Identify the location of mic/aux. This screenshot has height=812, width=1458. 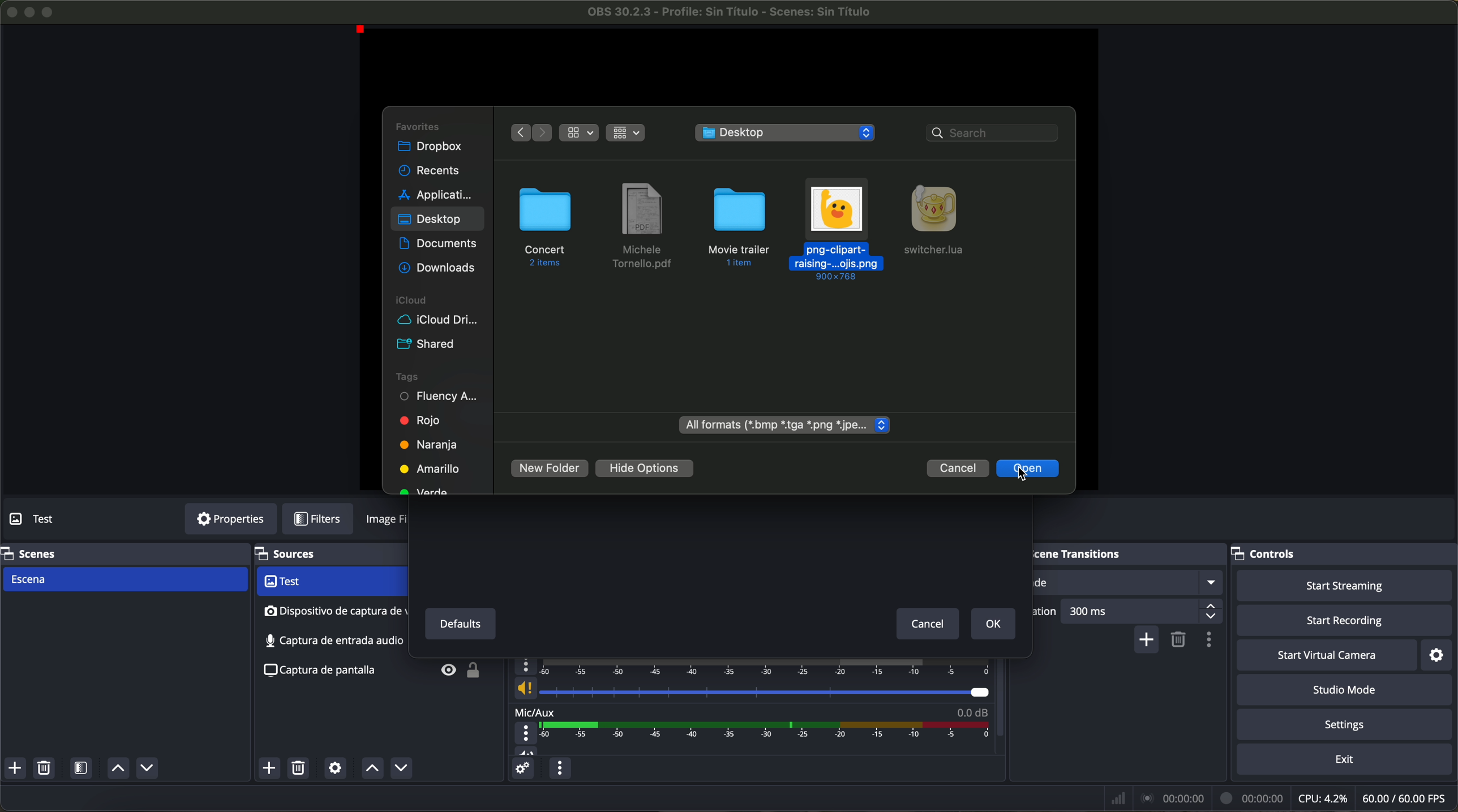
(535, 711).